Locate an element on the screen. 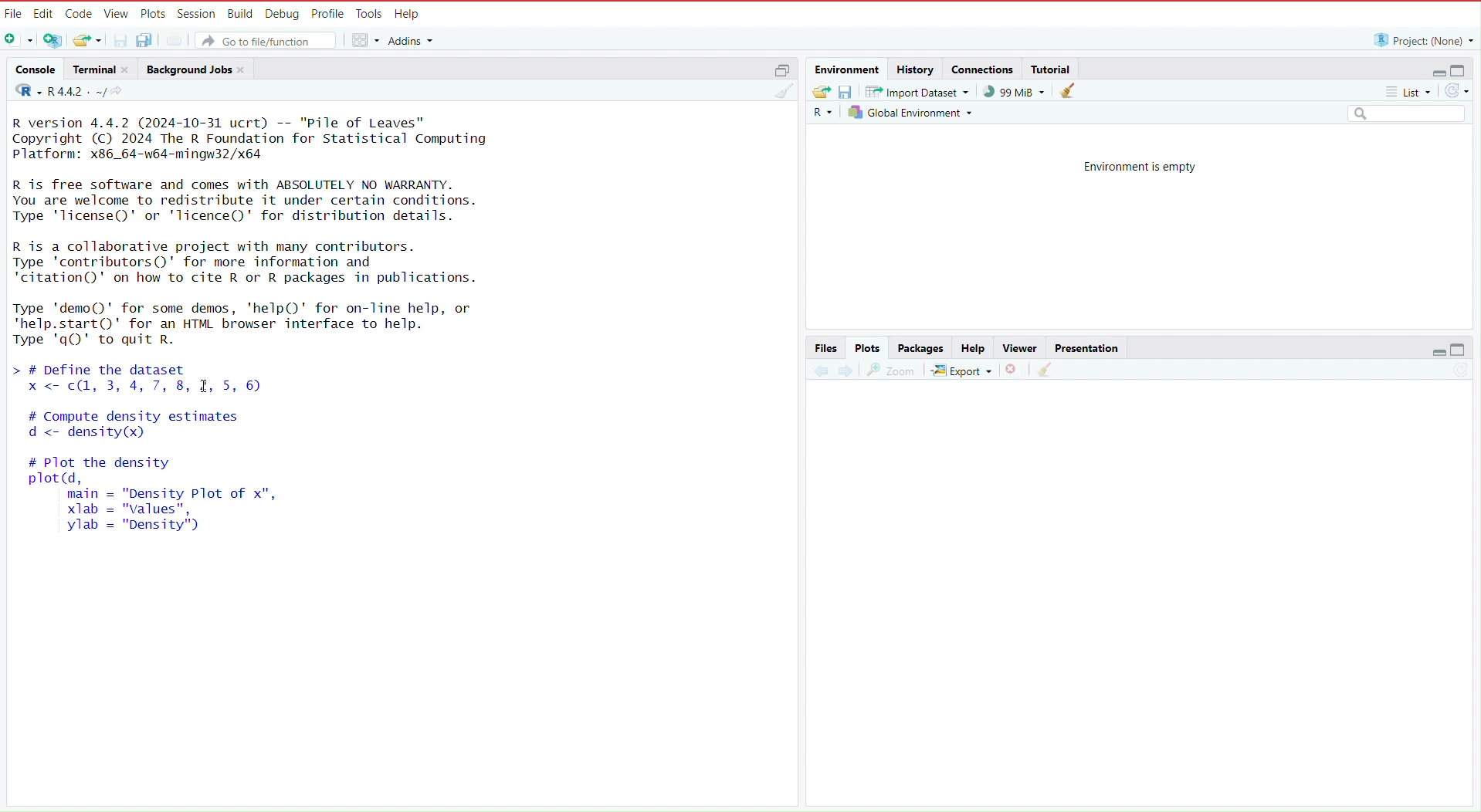  view a larger version of plot in new window is located at coordinates (892, 370).